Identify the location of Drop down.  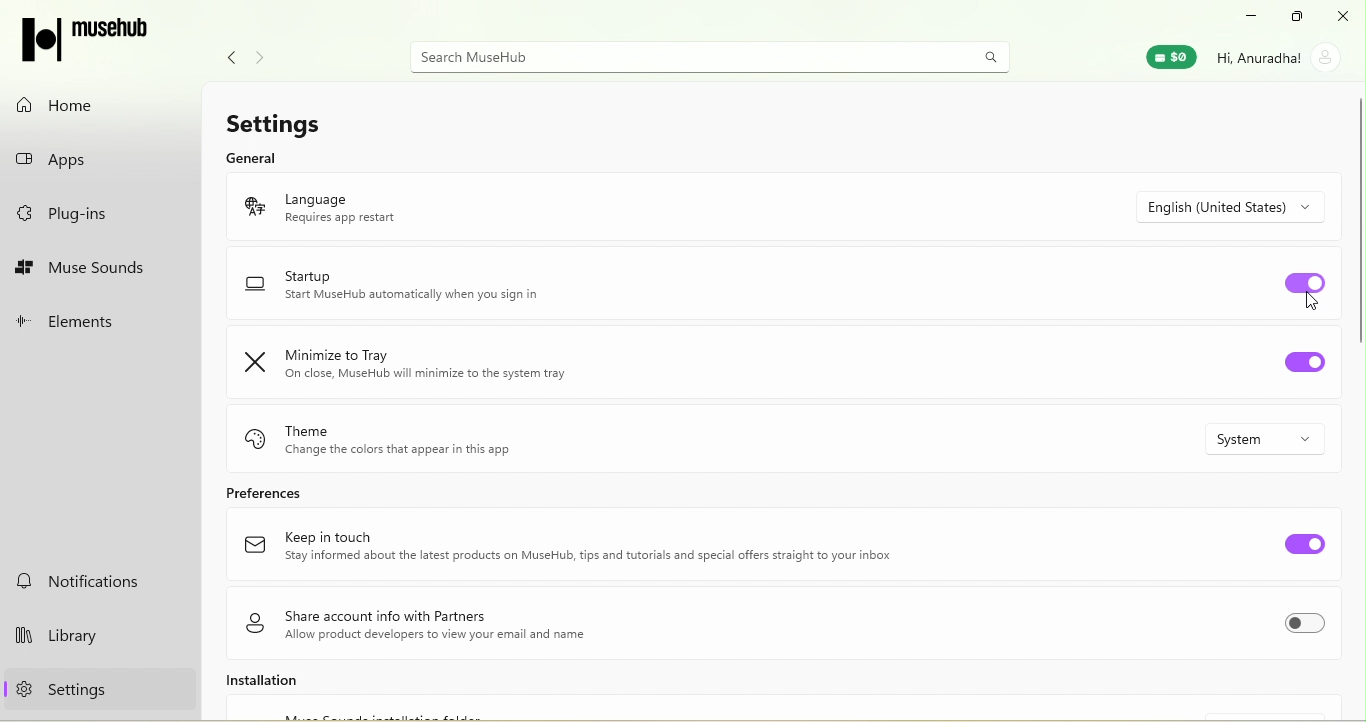
(1277, 439).